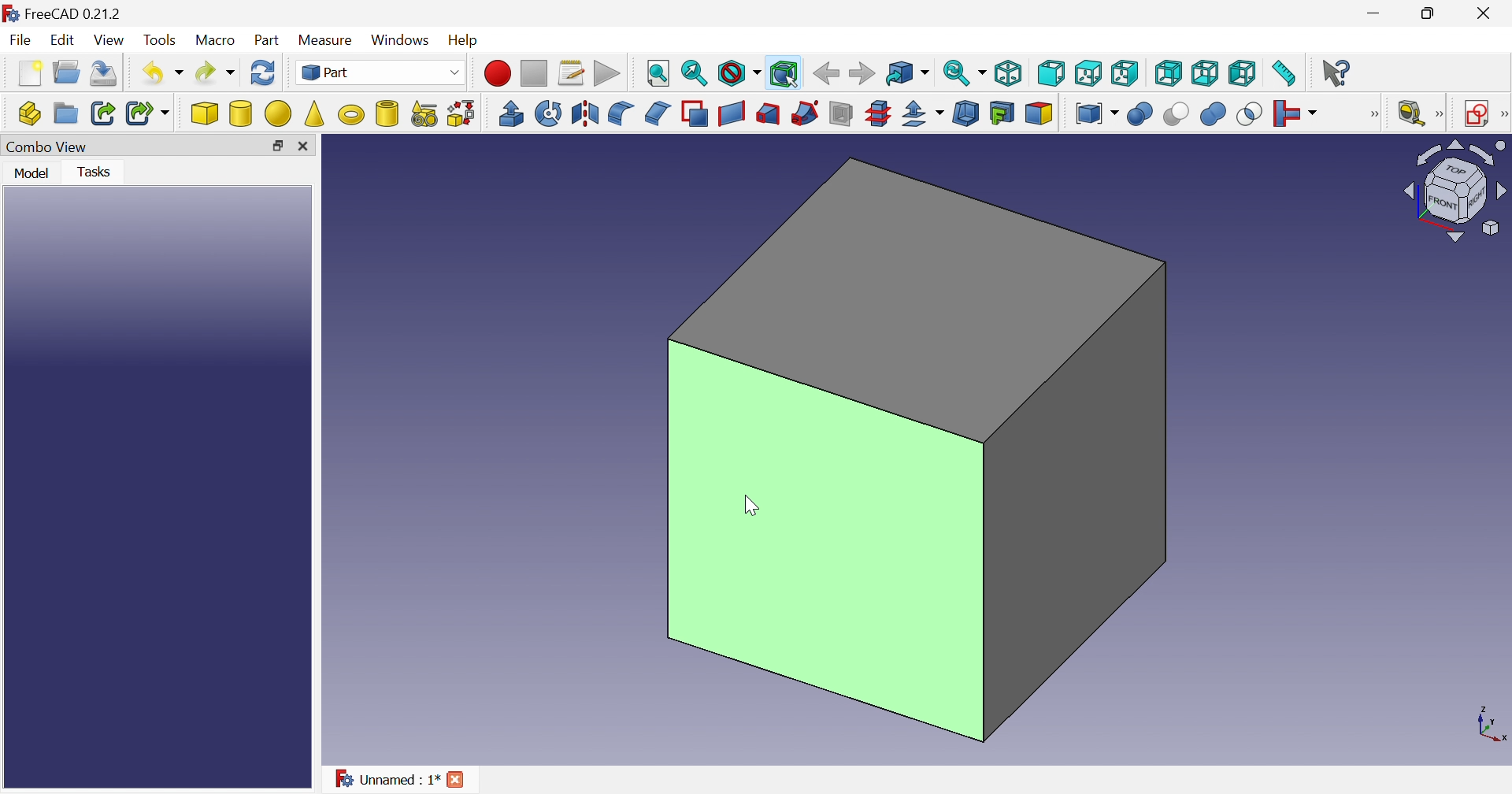 The image size is (1512, 794). Describe the element at coordinates (880, 113) in the screenshot. I see `` at that location.